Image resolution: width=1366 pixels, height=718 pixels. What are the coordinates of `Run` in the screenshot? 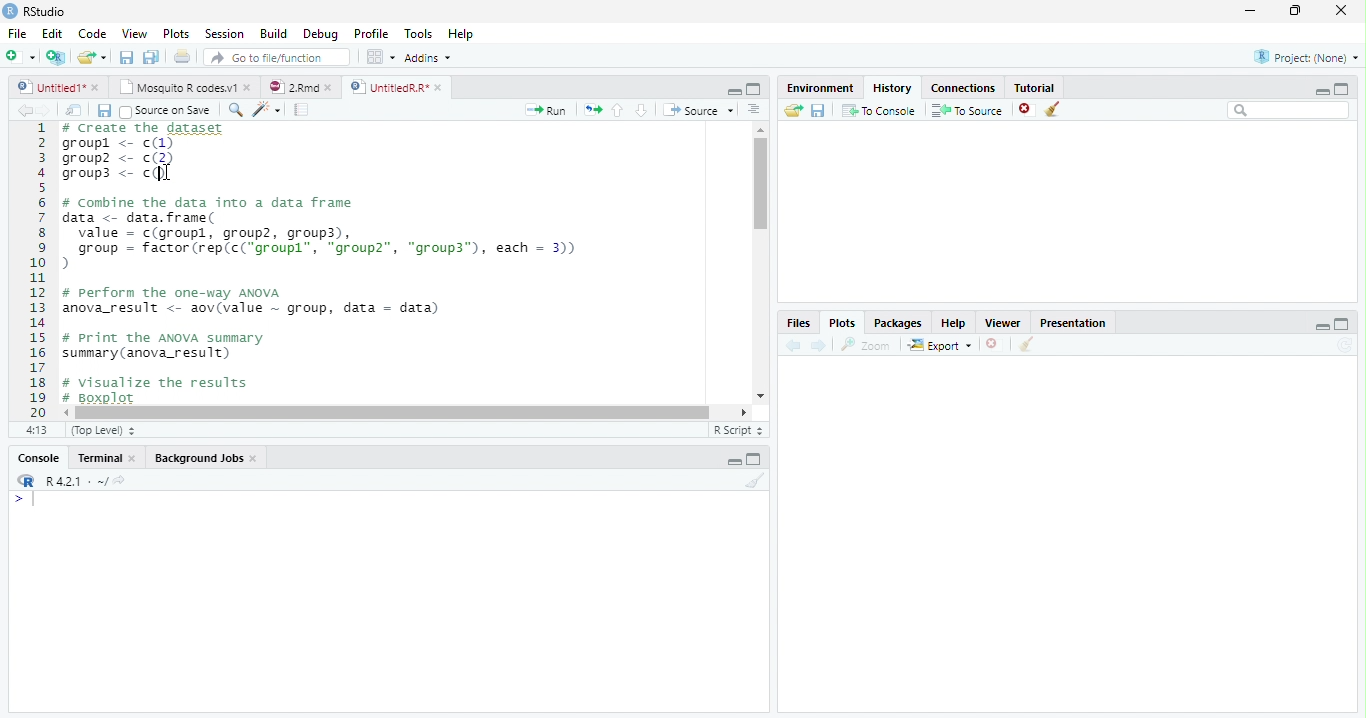 It's located at (546, 110).